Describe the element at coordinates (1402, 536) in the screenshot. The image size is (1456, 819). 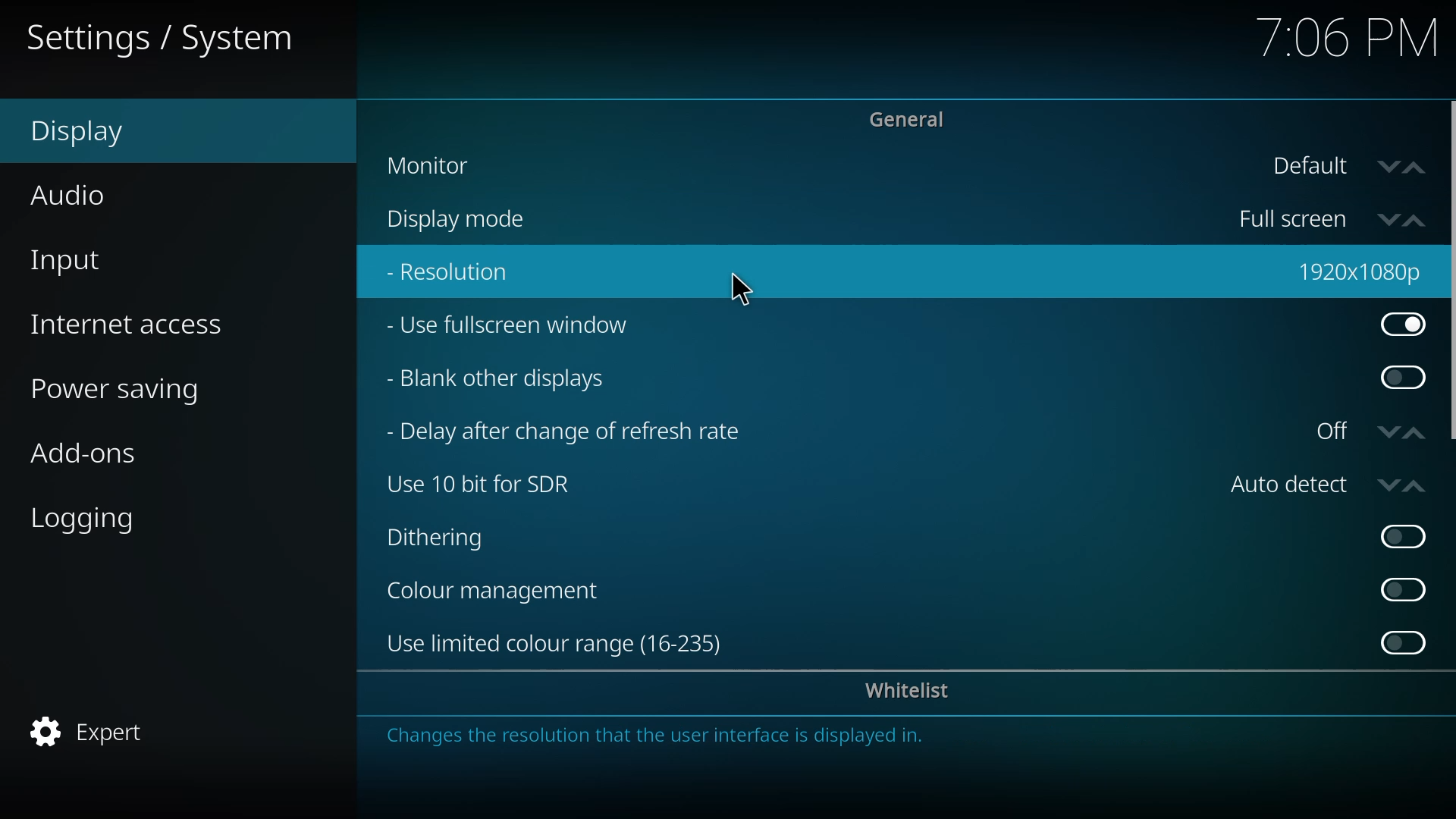
I see `enable` at that location.